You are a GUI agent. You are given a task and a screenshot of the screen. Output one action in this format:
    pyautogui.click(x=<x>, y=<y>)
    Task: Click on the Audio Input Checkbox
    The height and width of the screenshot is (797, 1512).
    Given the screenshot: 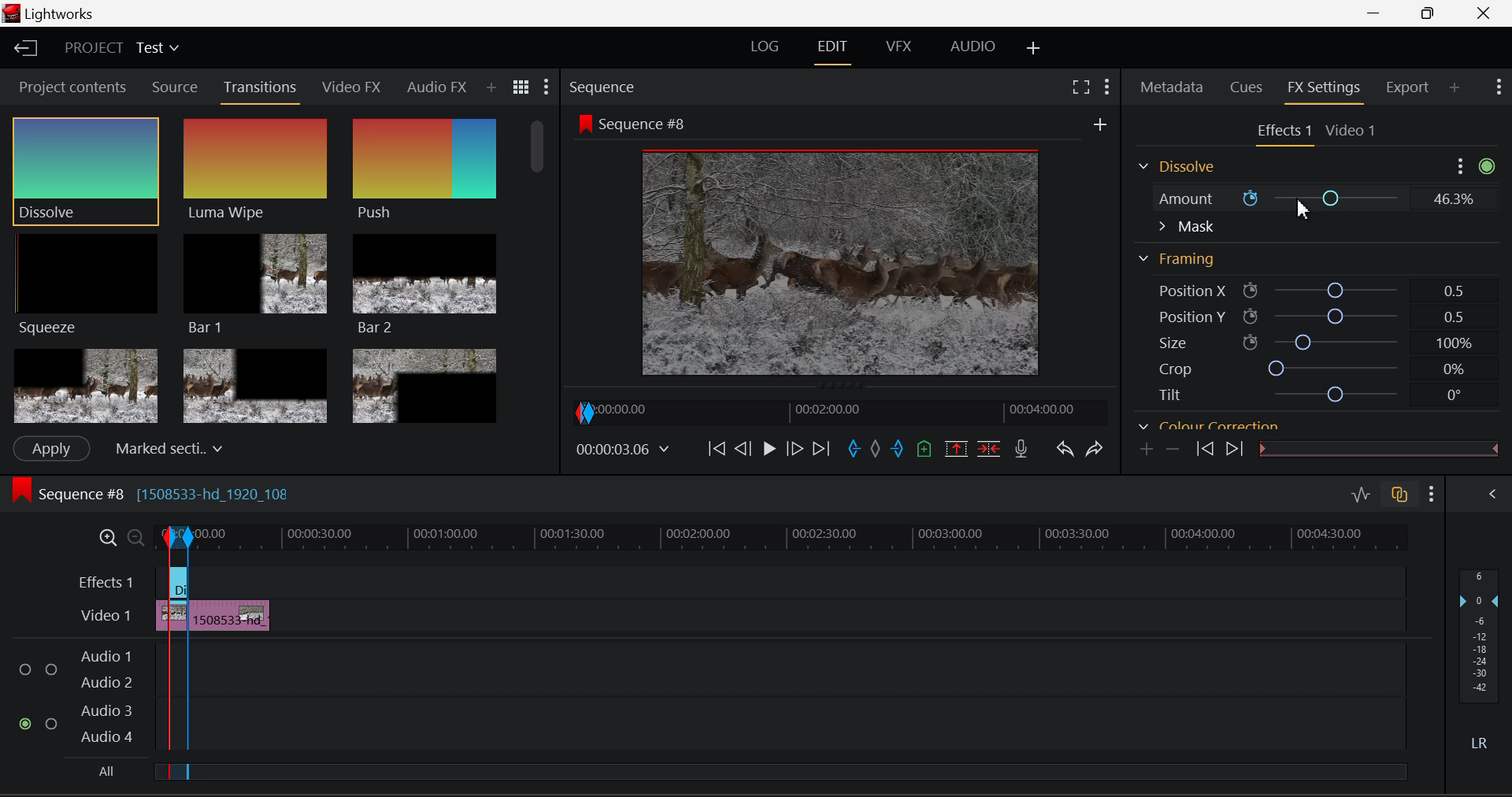 What is the action you would take?
    pyautogui.click(x=27, y=664)
    